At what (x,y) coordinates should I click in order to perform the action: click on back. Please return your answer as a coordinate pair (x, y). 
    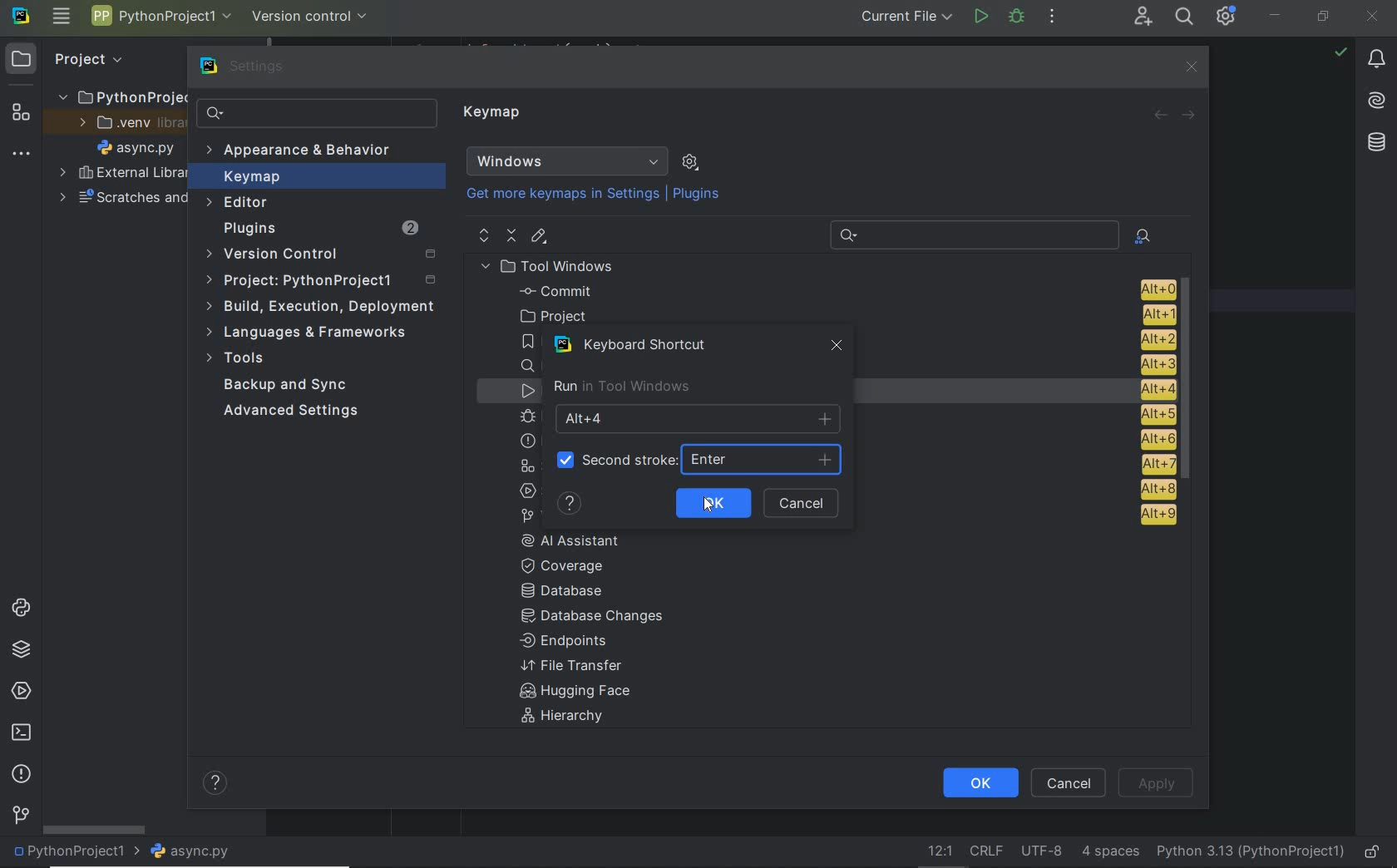
    Looking at the image, I should click on (1161, 116).